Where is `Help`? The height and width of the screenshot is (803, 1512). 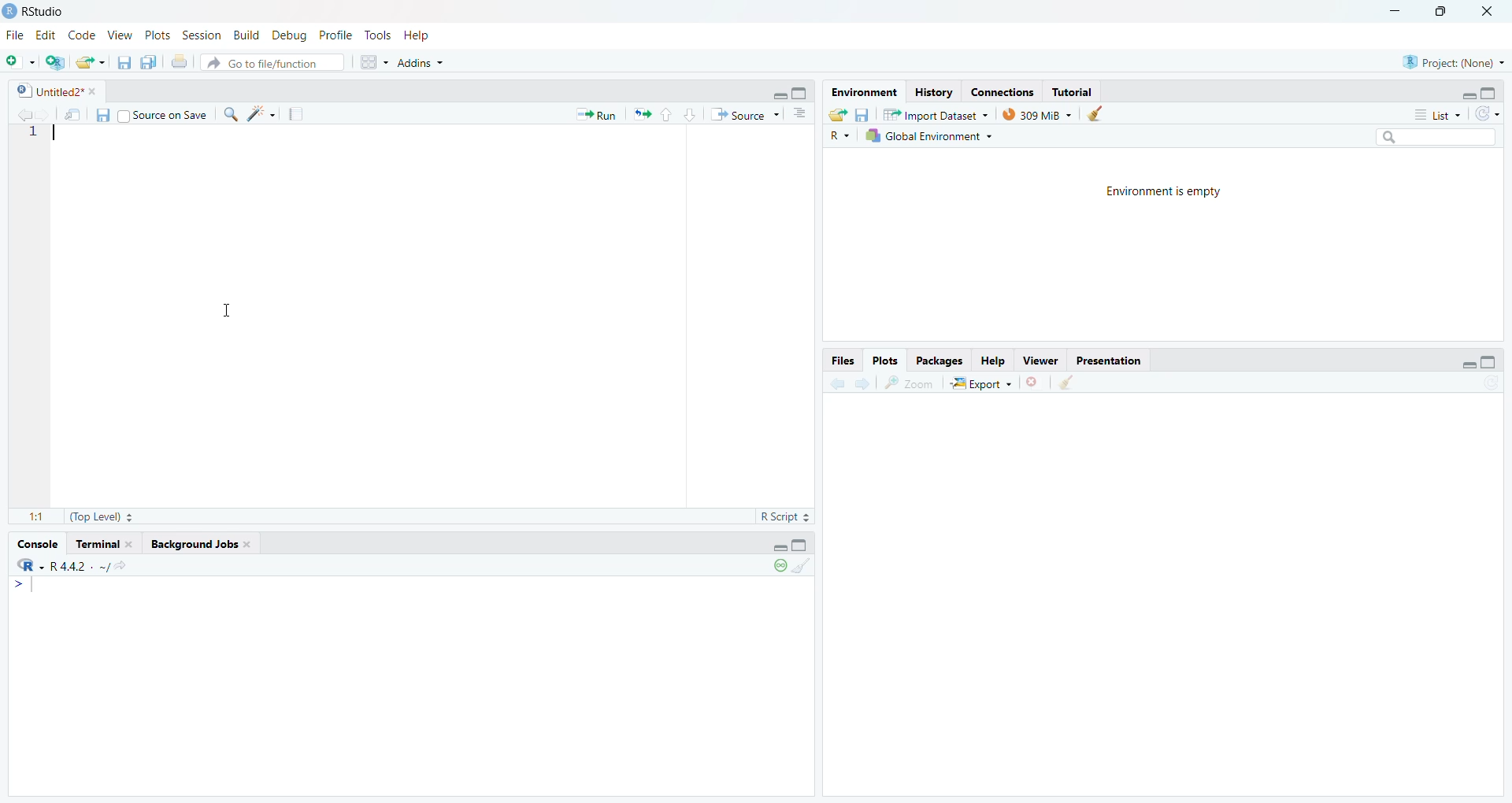
Help is located at coordinates (424, 37).